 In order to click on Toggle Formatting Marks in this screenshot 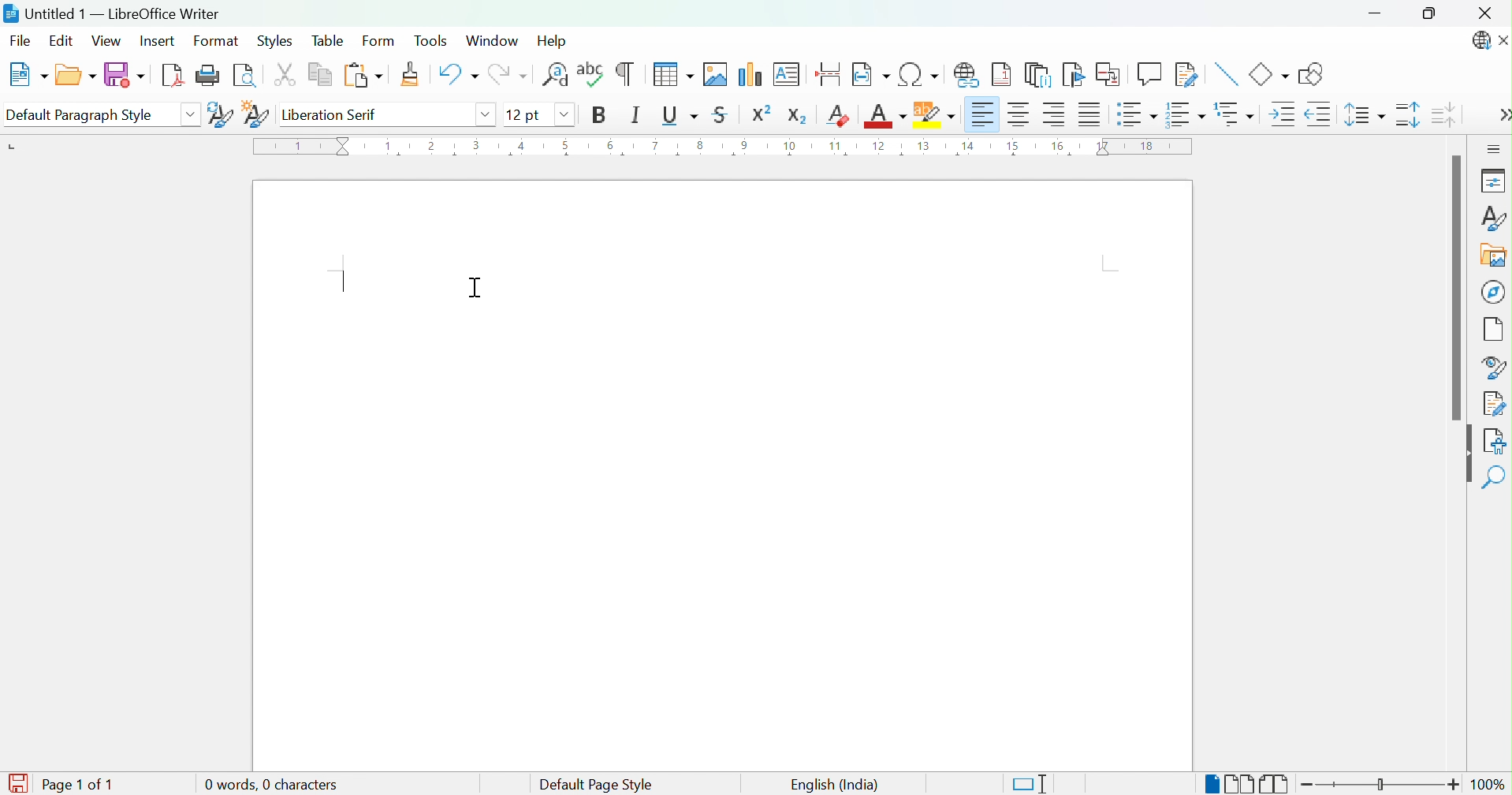, I will do `click(625, 73)`.